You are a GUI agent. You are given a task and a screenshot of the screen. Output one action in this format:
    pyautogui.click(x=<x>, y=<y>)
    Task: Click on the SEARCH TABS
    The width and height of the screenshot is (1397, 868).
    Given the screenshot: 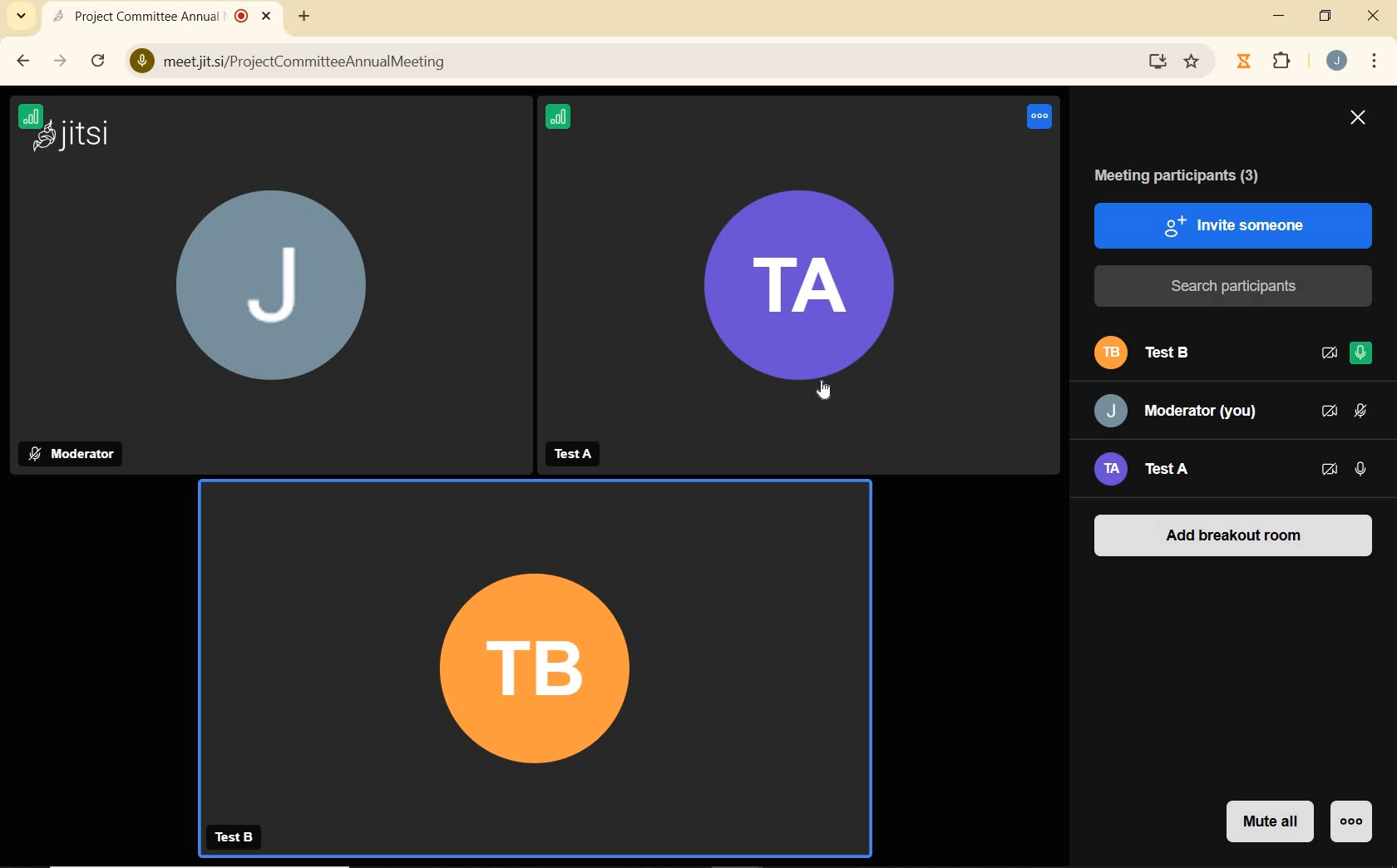 What is the action you would take?
    pyautogui.click(x=22, y=19)
    